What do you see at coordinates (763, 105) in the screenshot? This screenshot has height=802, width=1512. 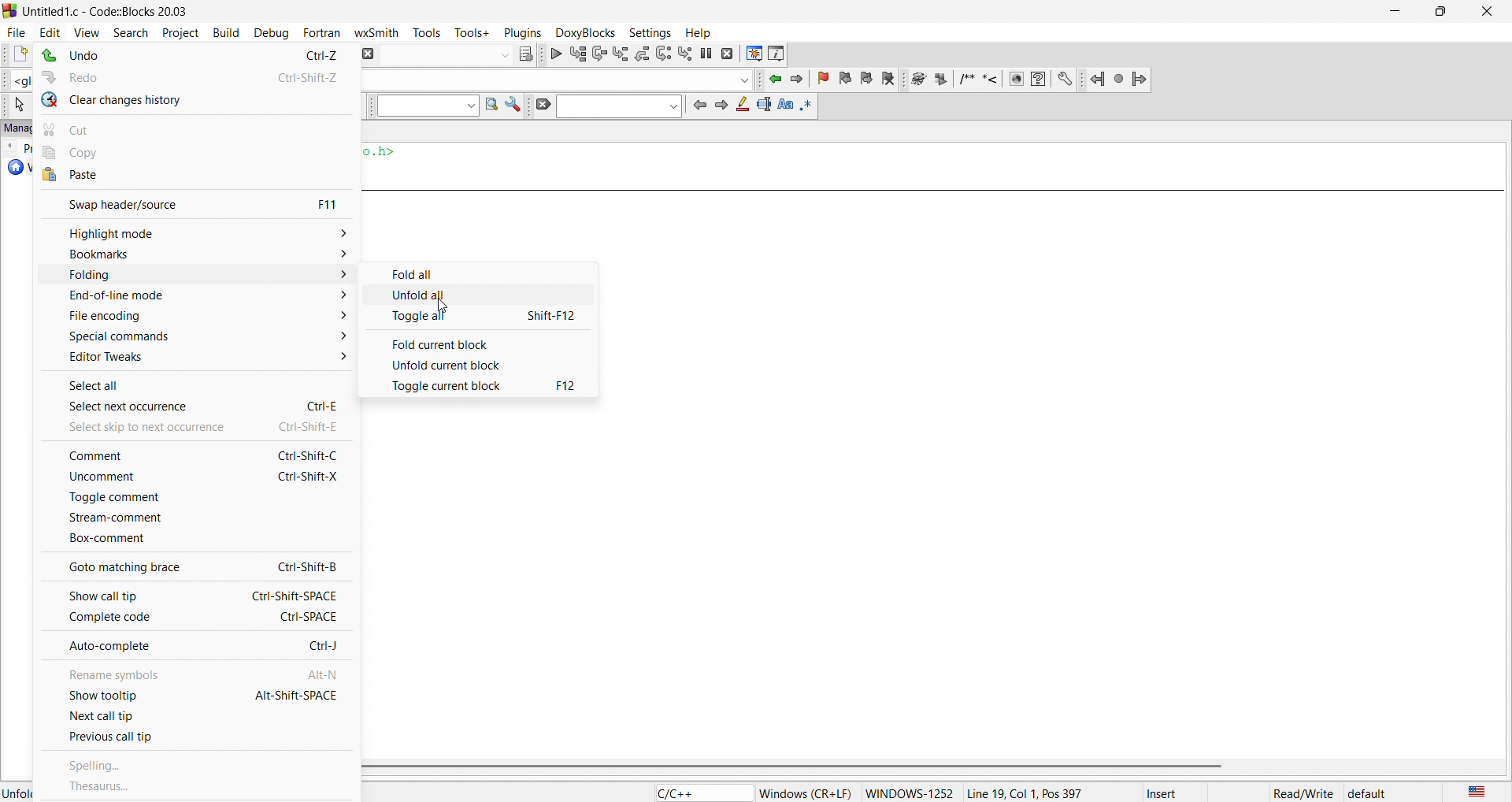 I see `selected text` at bounding box center [763, 105].